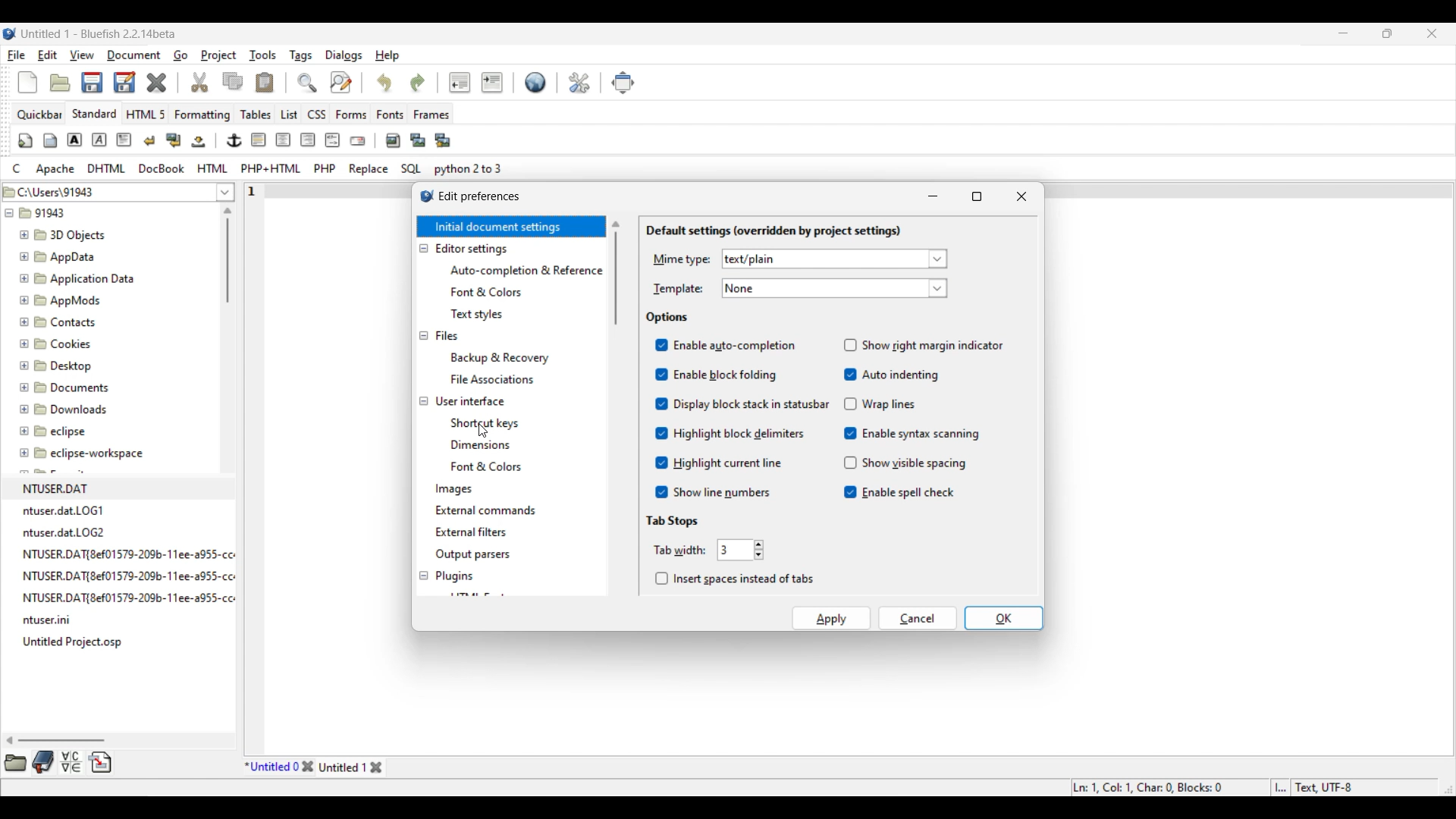 The width and height of the screenshot is (1456, 819). What do you see at coordinates (735, 550) in the screenshot?
I see `Input width` at bounding box center [735, 550].